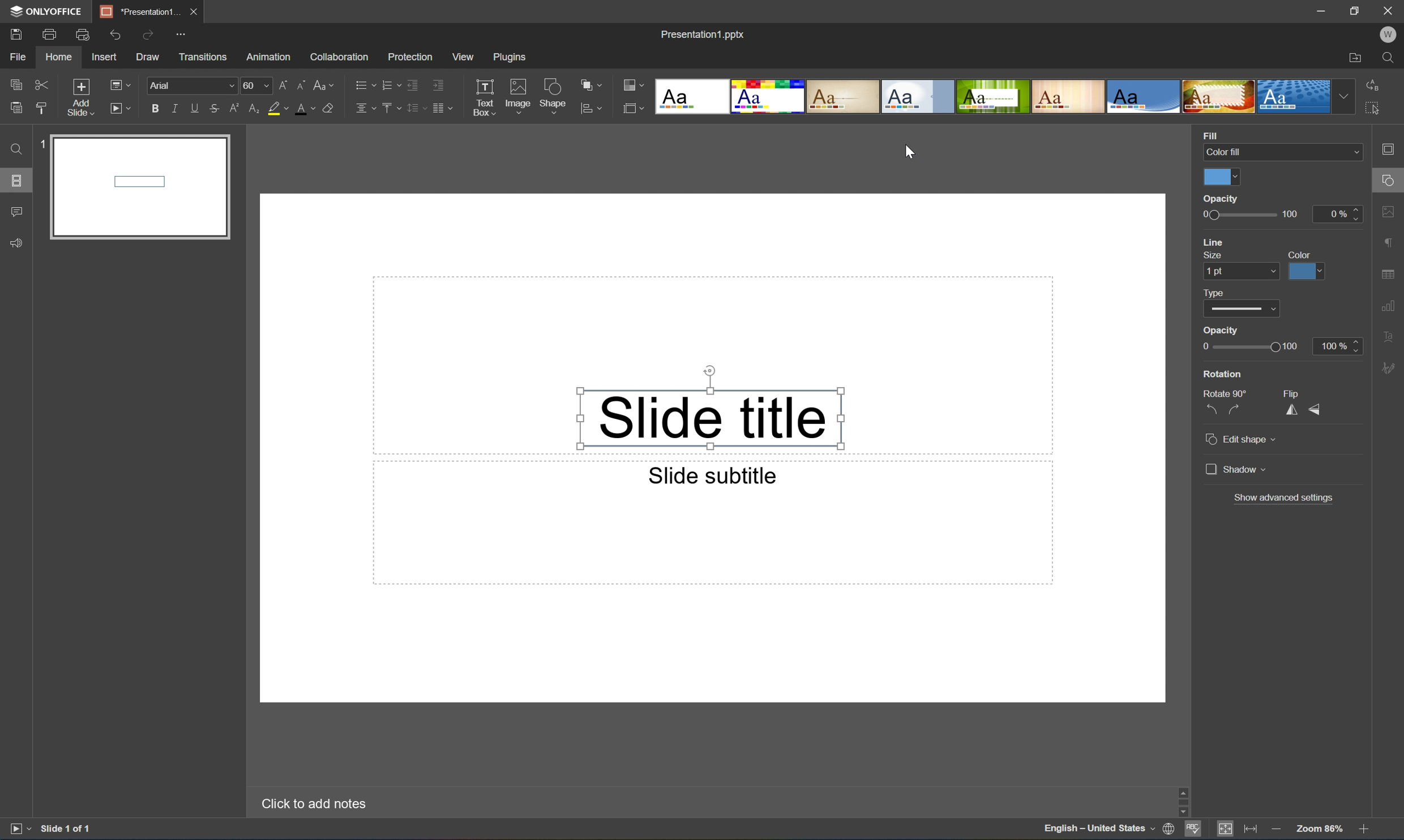  Describe the element at coordinates (1235, 408) in the screenshot. I see `Rotate 90° clockwise` at that location.